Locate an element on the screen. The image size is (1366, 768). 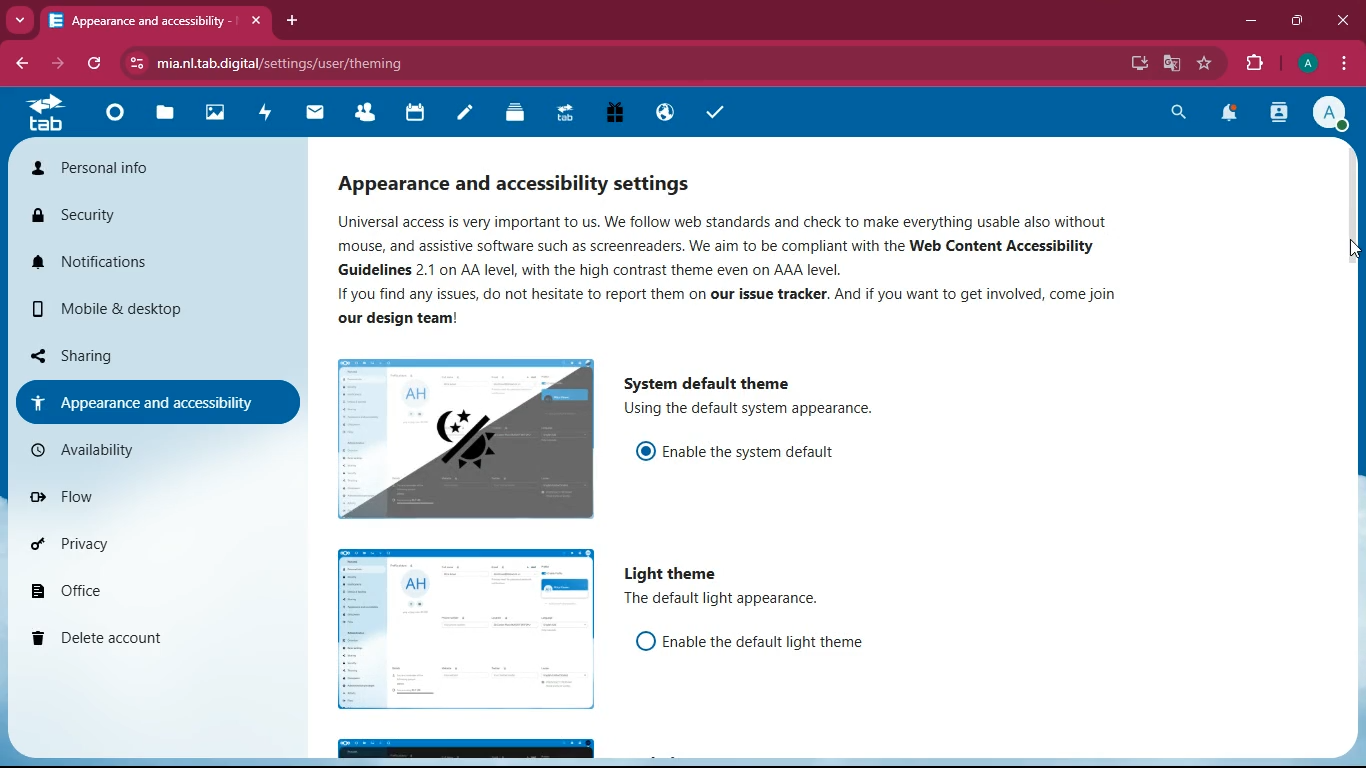
enable is located at coordinates (757, 453).